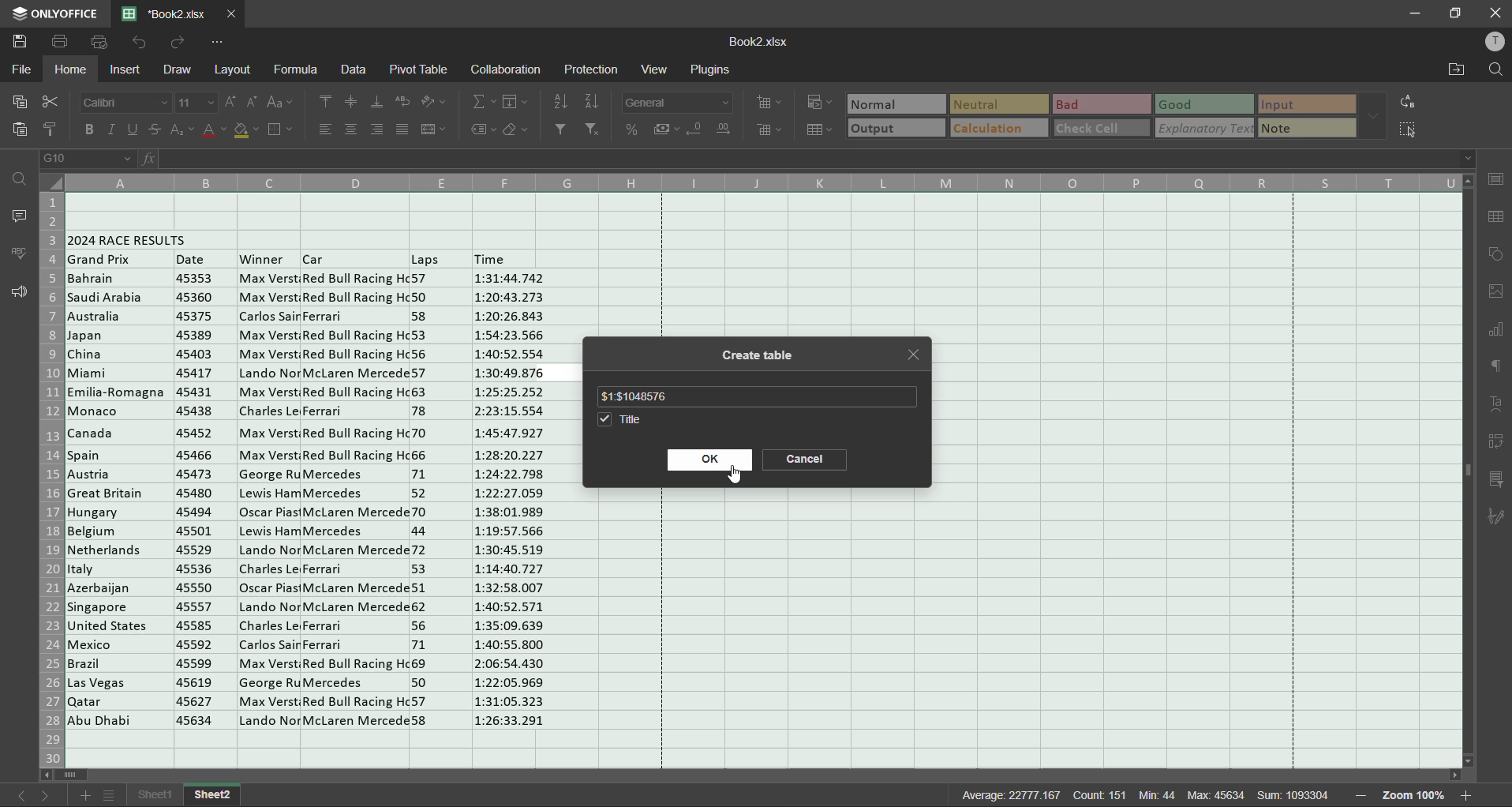  Describe the element at coordinates (1363, 793) in the screenshot. I see `zoom out` at that location.